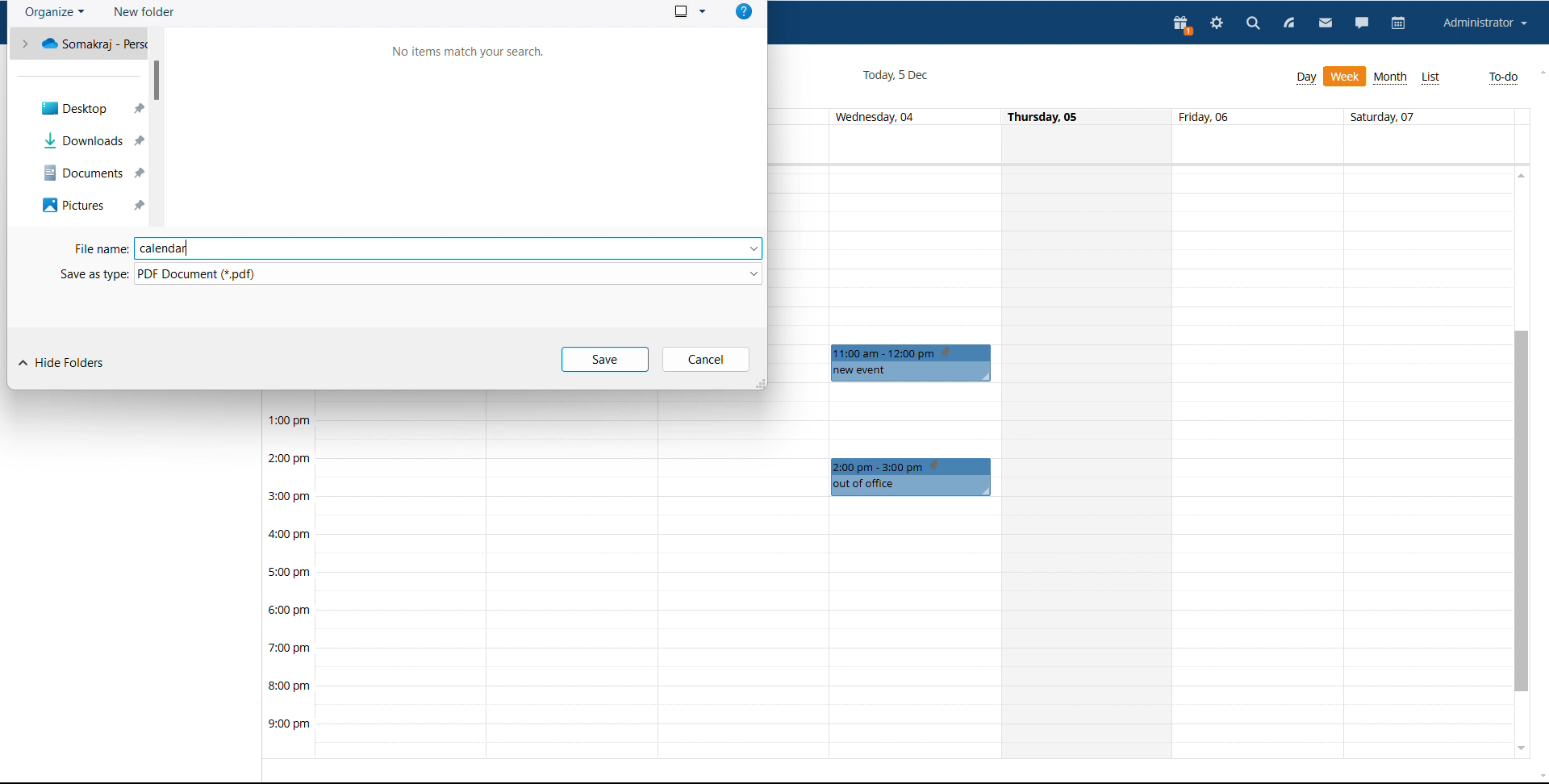 The width and height of the screenshot is (1549, 784). I want to click on save, so click(606, 360).